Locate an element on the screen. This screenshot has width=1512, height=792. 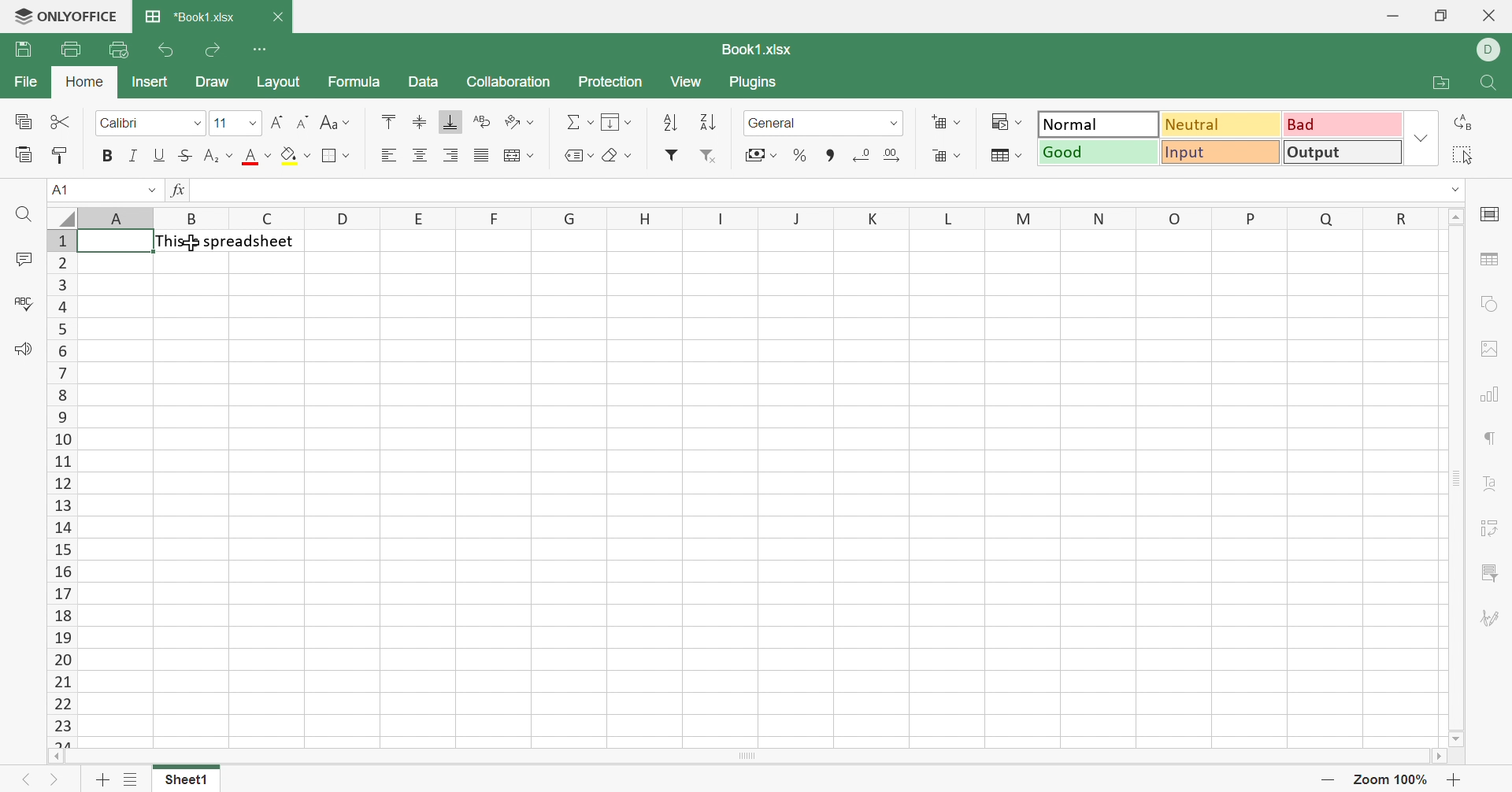
Comments is located at coordinates (23, 259).